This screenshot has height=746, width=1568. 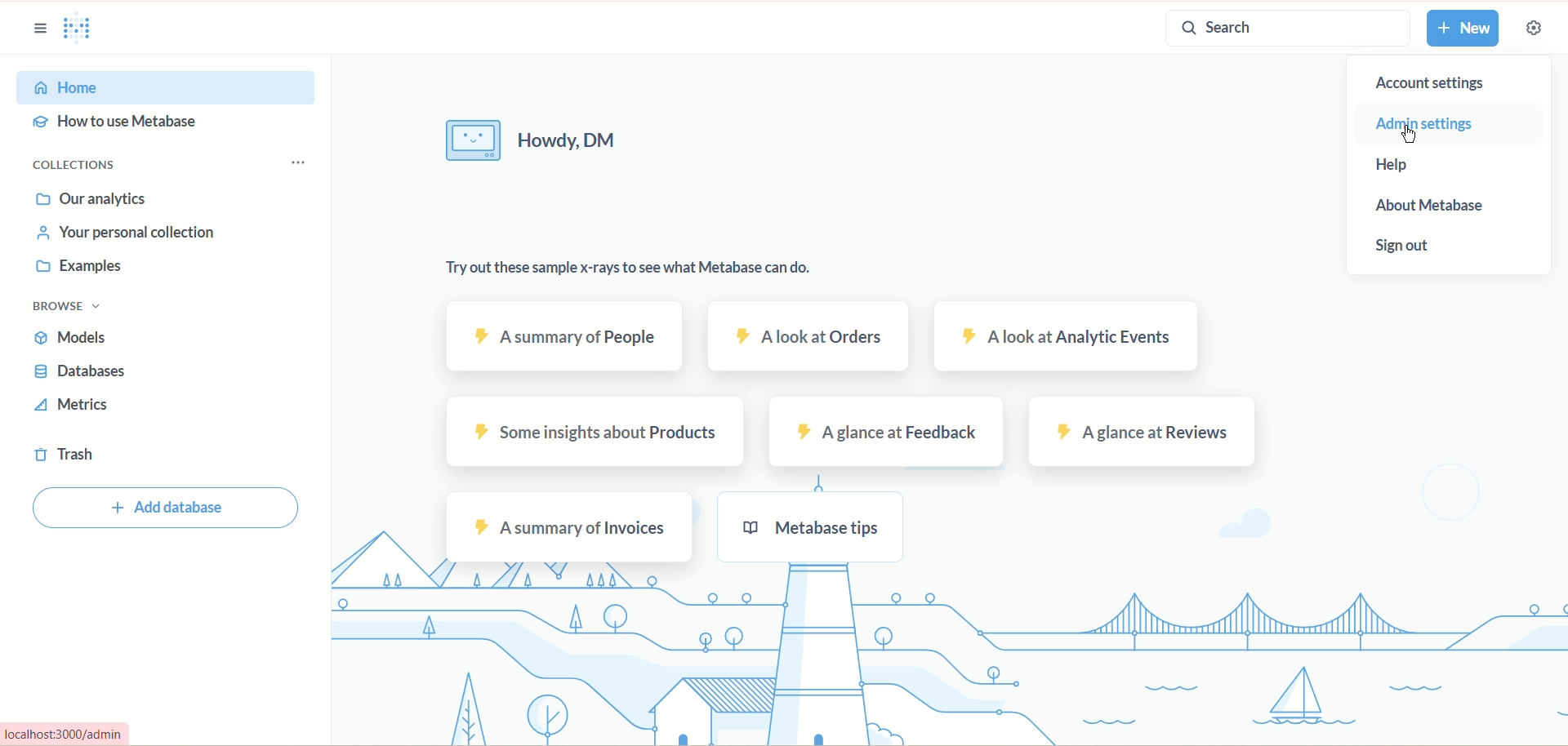 What do you see at coordinates (809, 528) in the screenshot?
I see `metabase tips` at bounding box center [809, 528].